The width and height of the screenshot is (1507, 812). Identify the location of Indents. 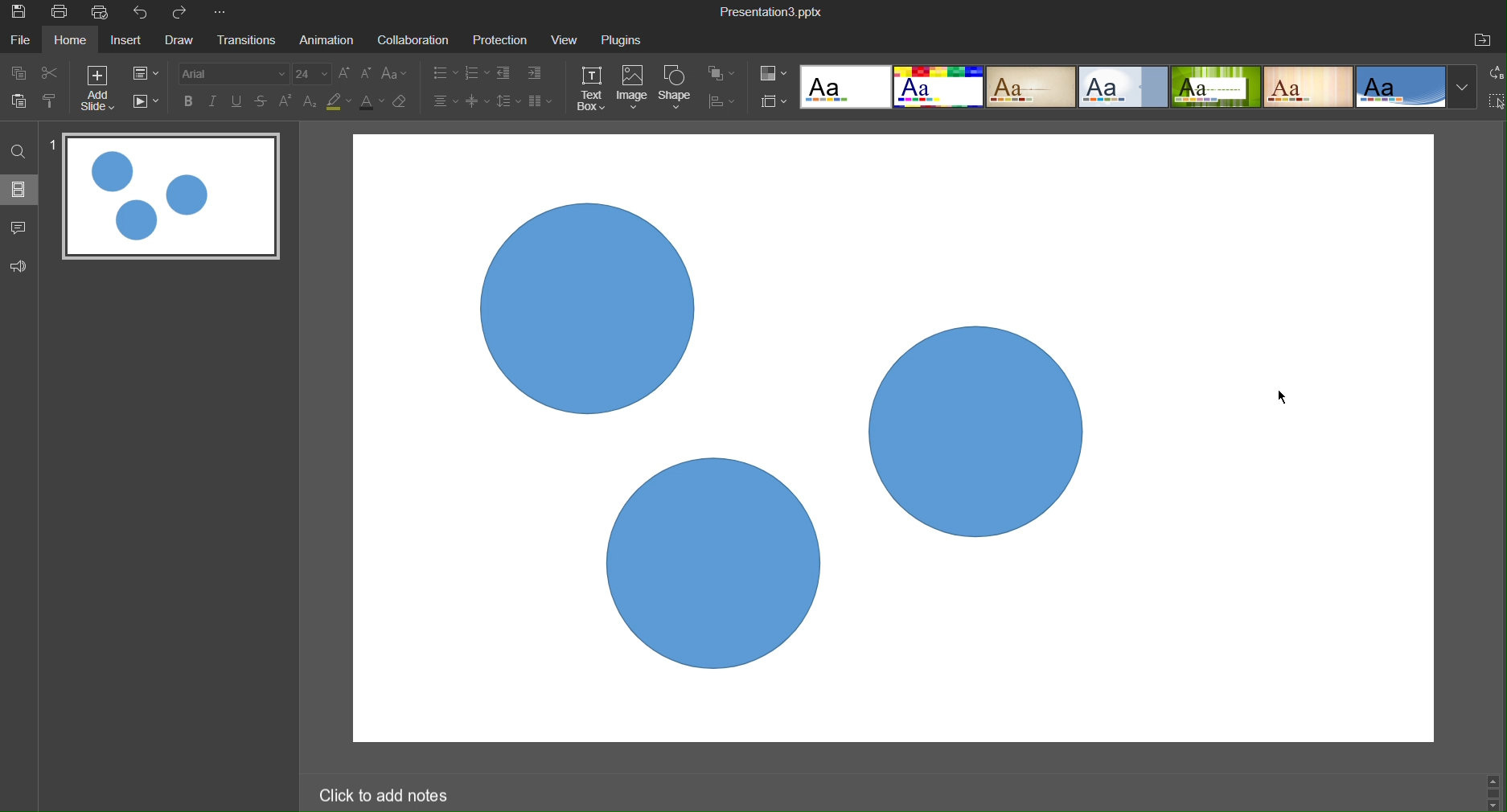
(523, 74).